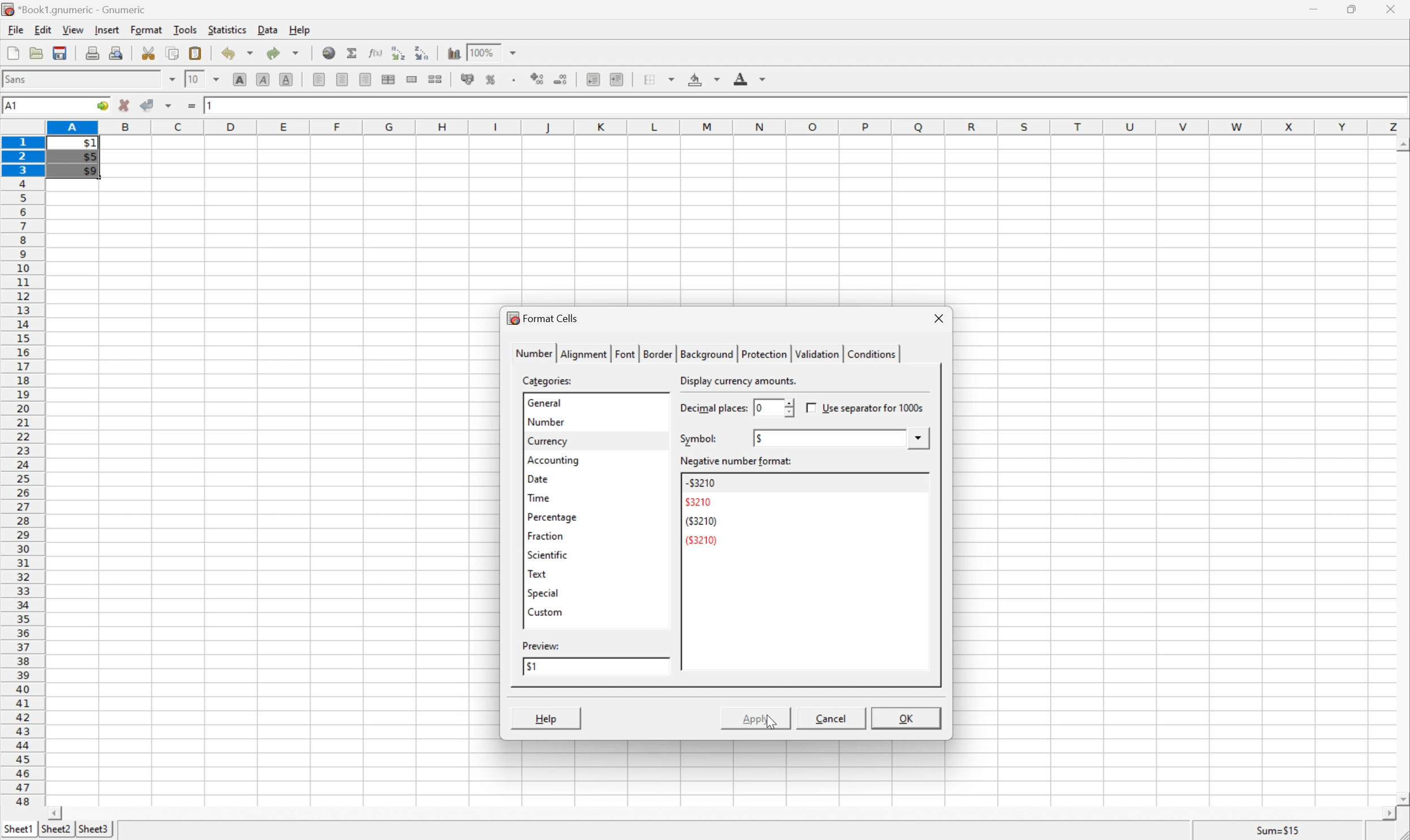 Image resolution: width=1410 pixels, height=840 pixels. What do you see at coordinates (84, 142) in the screenshot?
I see `$1` at bounding box center [84, 142].